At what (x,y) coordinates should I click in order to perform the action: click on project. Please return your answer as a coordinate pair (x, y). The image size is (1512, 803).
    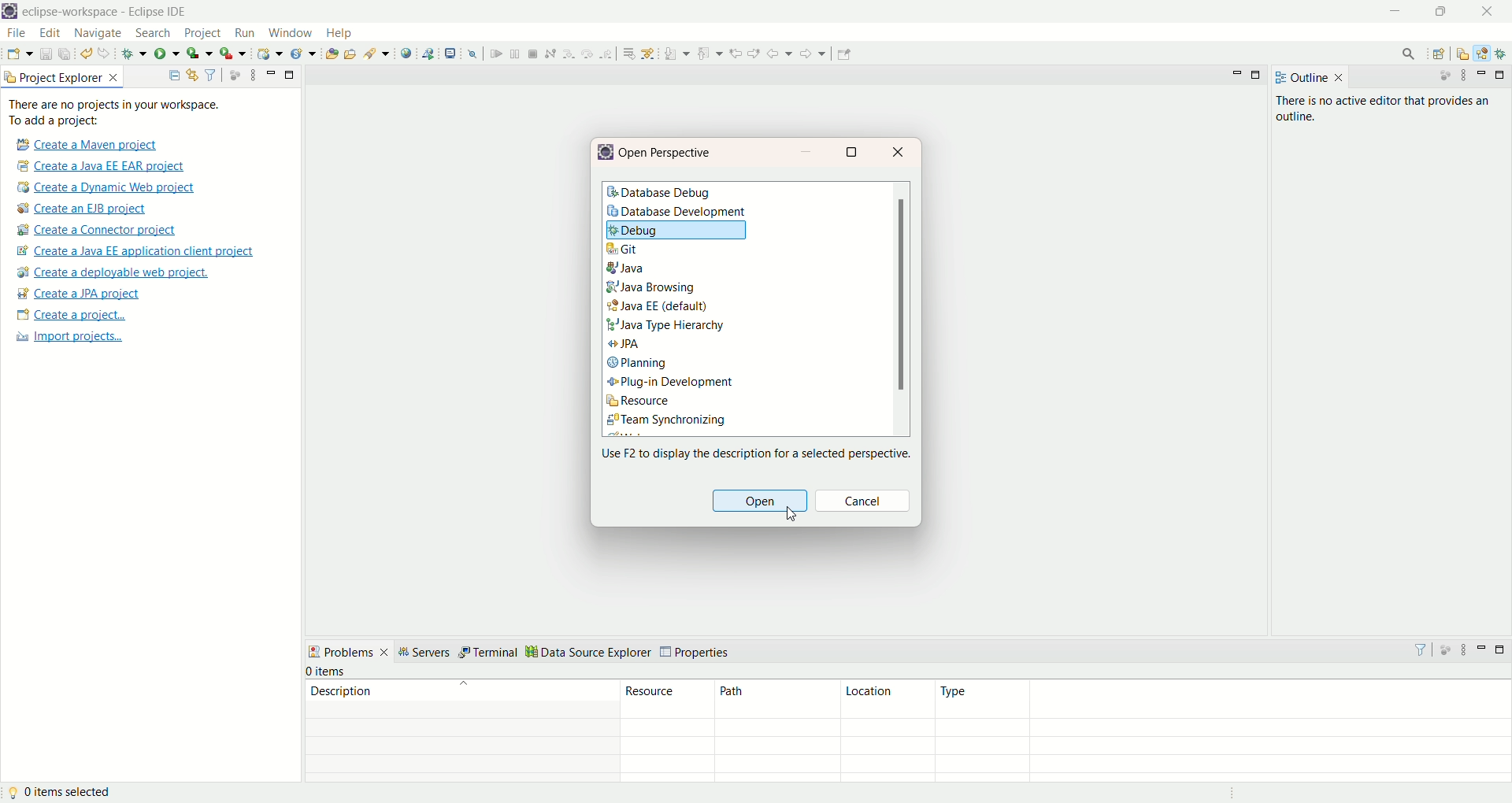
    Looking at the image, I should click on (204, 33).